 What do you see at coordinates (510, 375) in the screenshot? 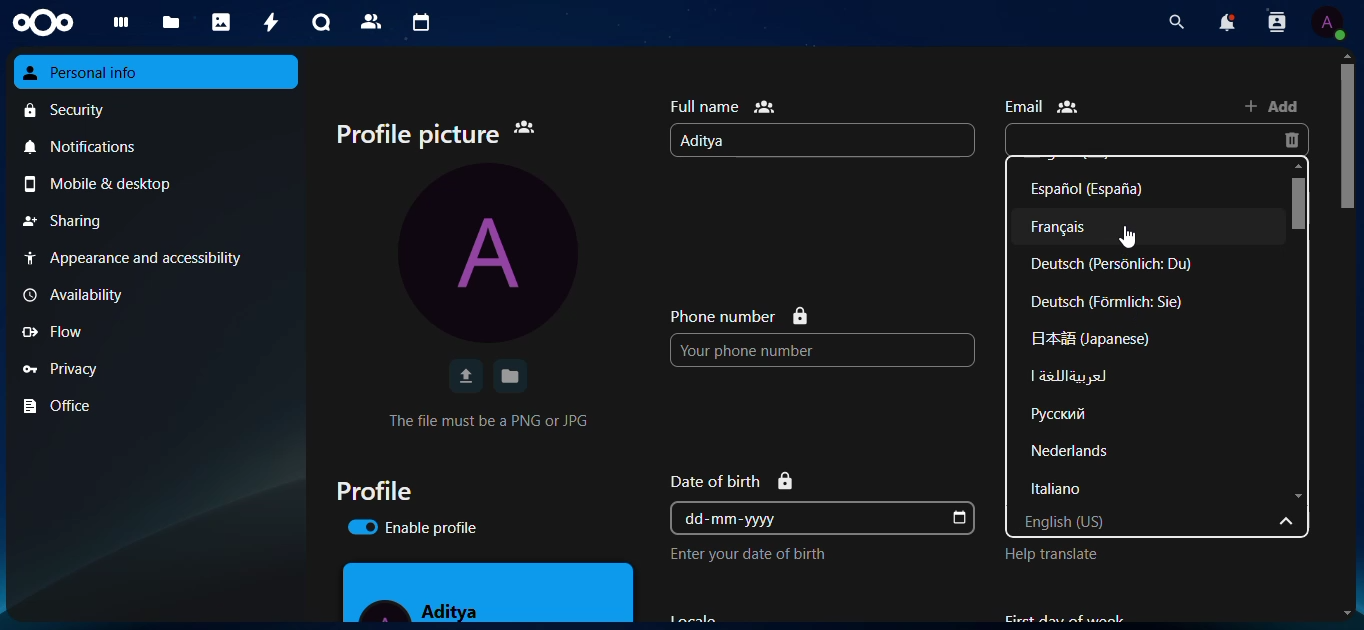
I see `save` at bounding box center [510, 375].